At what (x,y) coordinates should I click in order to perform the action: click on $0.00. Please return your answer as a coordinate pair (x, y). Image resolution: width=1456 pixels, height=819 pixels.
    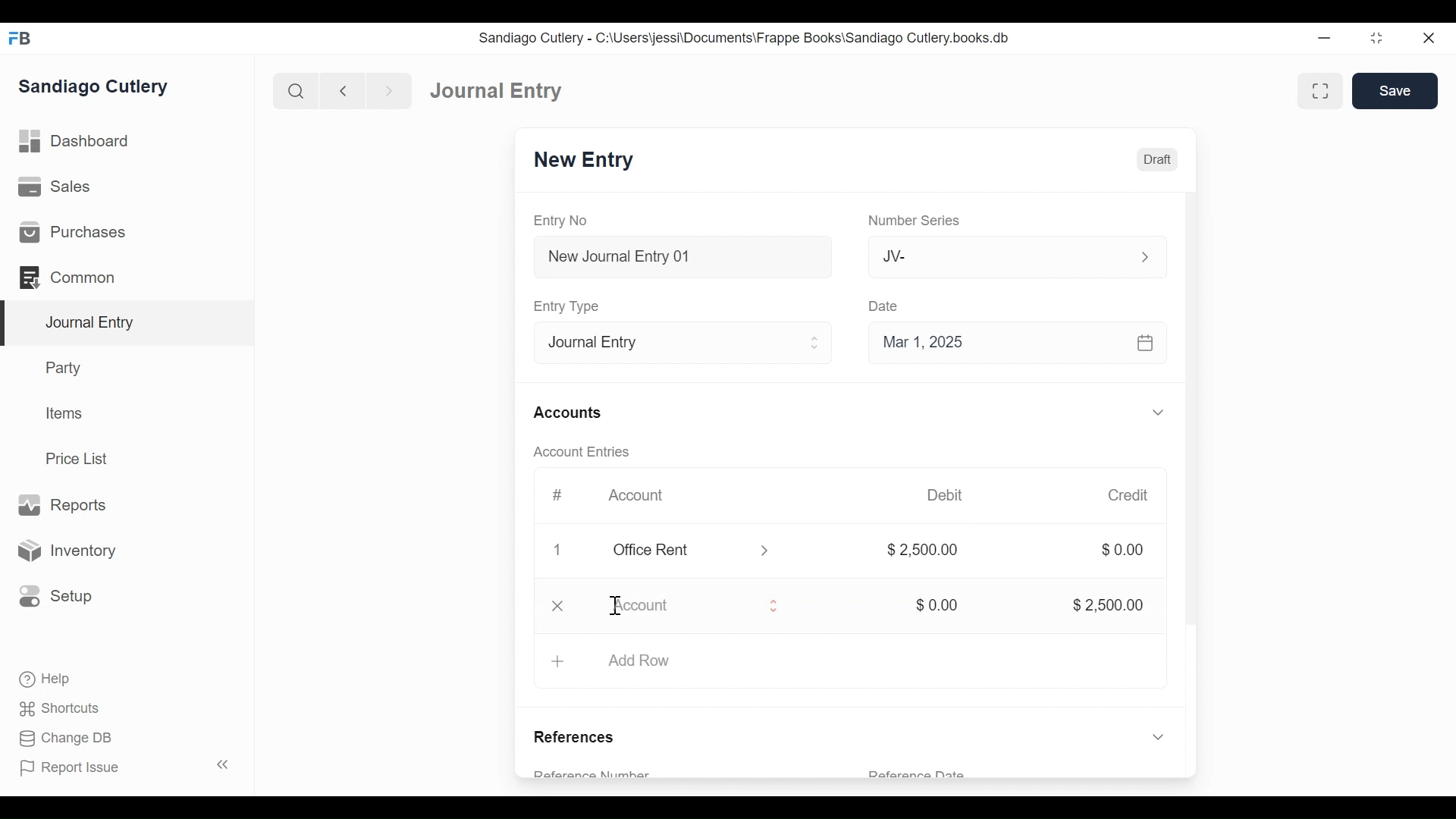
    Looking at the image, I should click on (1122, 551).